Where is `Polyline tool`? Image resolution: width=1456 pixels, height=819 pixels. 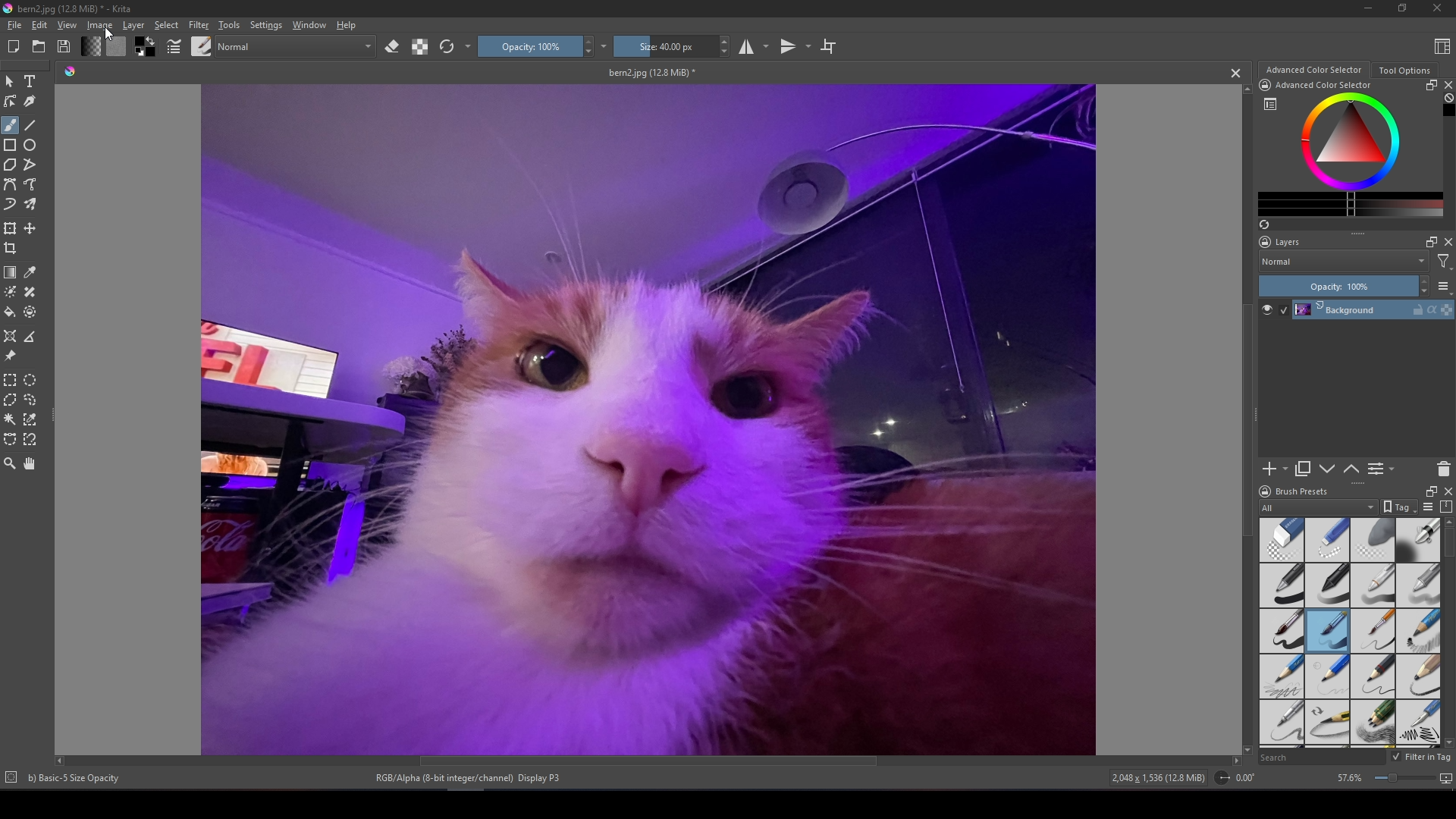 Polyline tool is located at coordinates (29, 164).